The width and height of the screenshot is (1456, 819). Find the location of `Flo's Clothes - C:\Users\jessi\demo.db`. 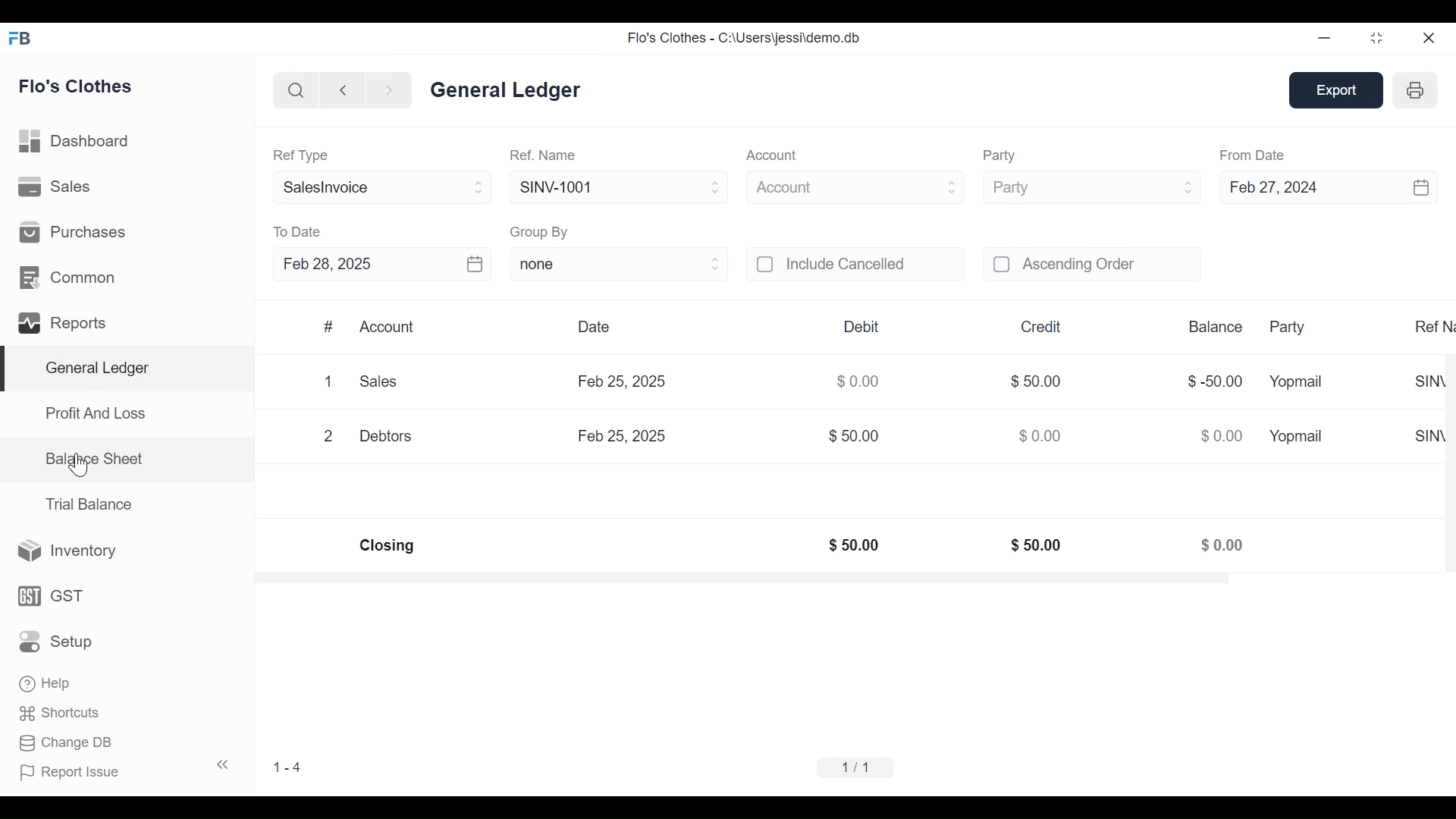

Flo's Clothes - C:\Users\jessi\demo.db is located at coordinates (743, 38).